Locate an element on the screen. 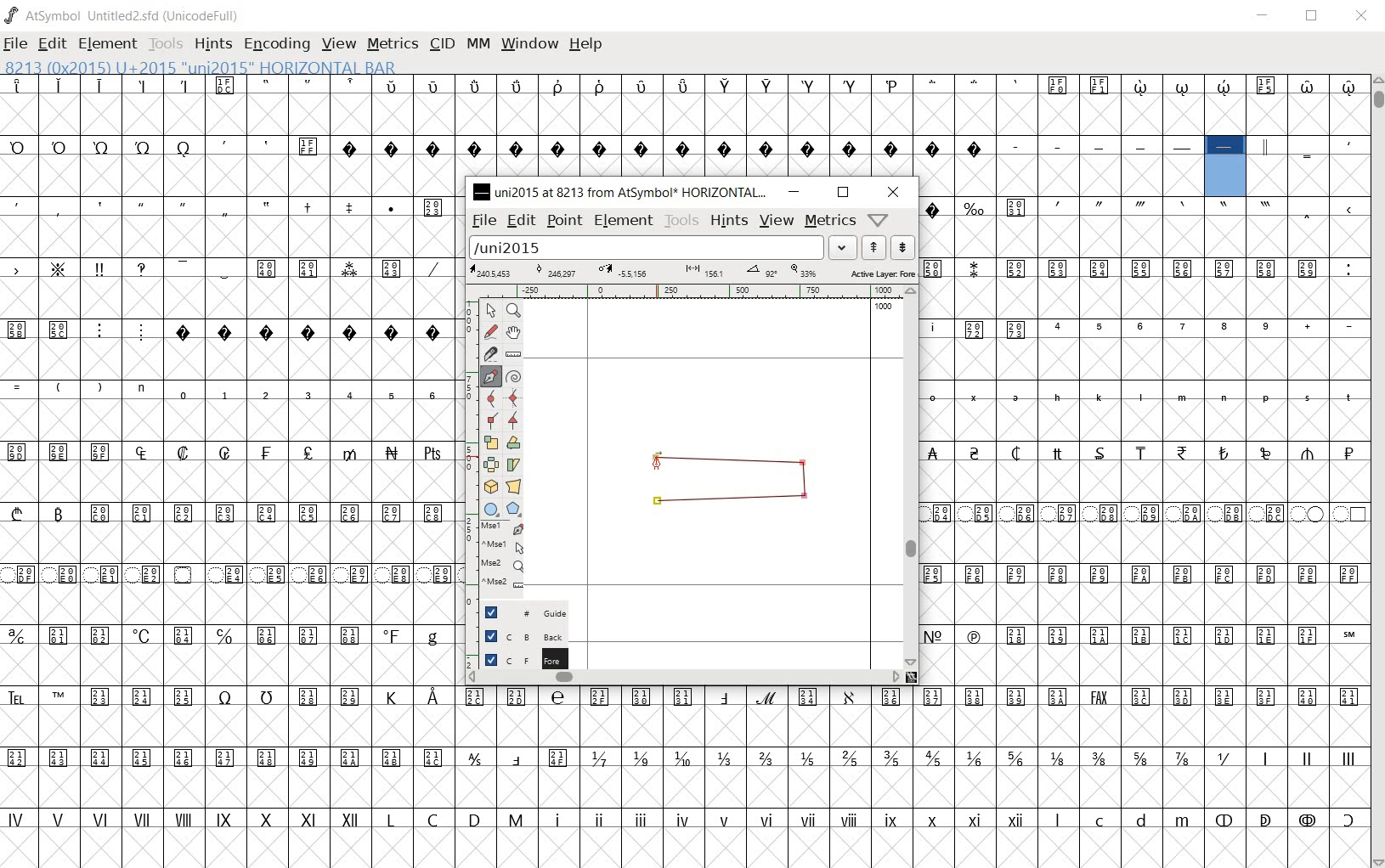 This screenshot has height=868, width=1385. CLOSE is located at coordinates (1363, 19).